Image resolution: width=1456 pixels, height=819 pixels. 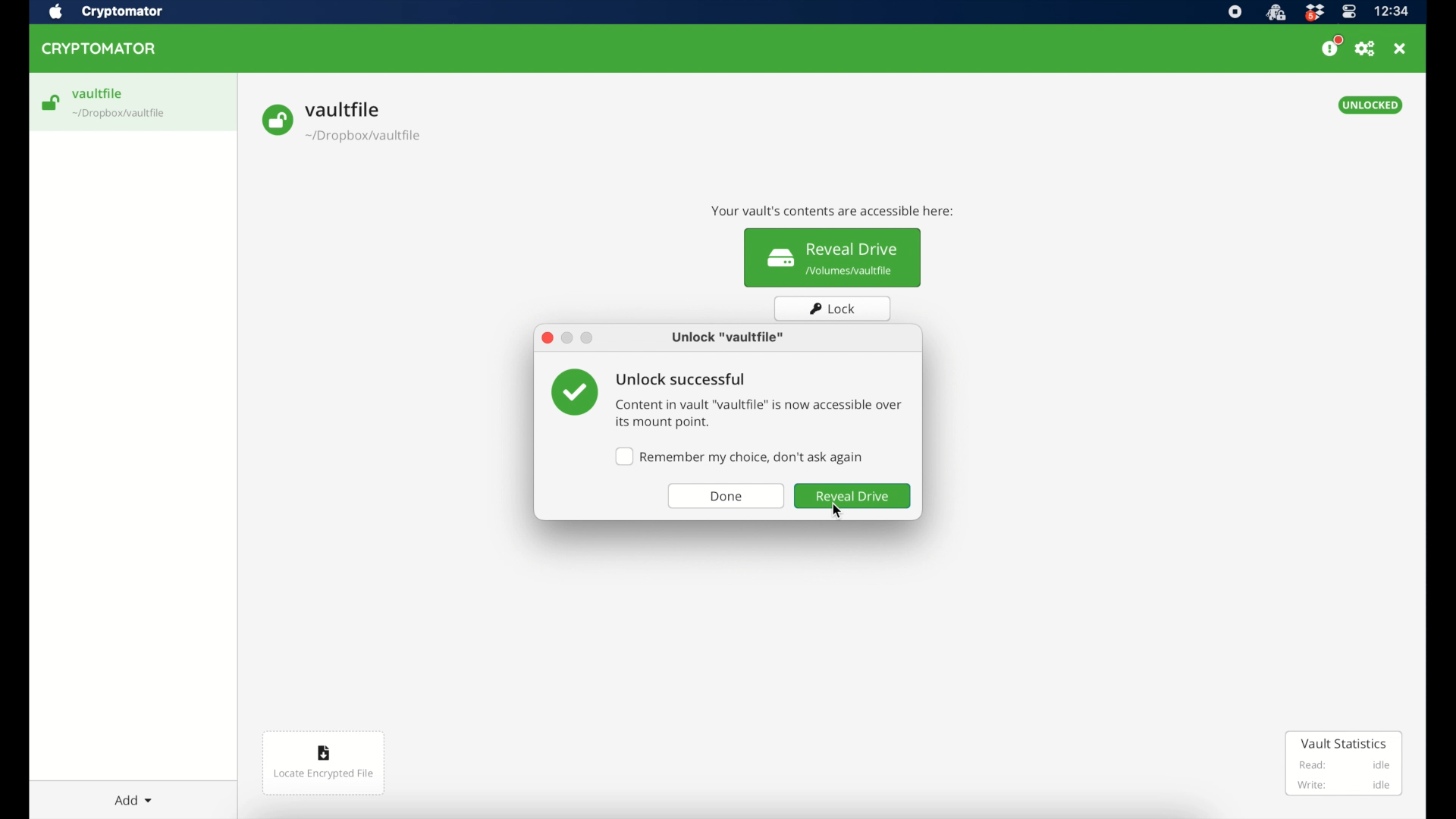 I want to click on tick mark icon, so click(x=569, y=393).